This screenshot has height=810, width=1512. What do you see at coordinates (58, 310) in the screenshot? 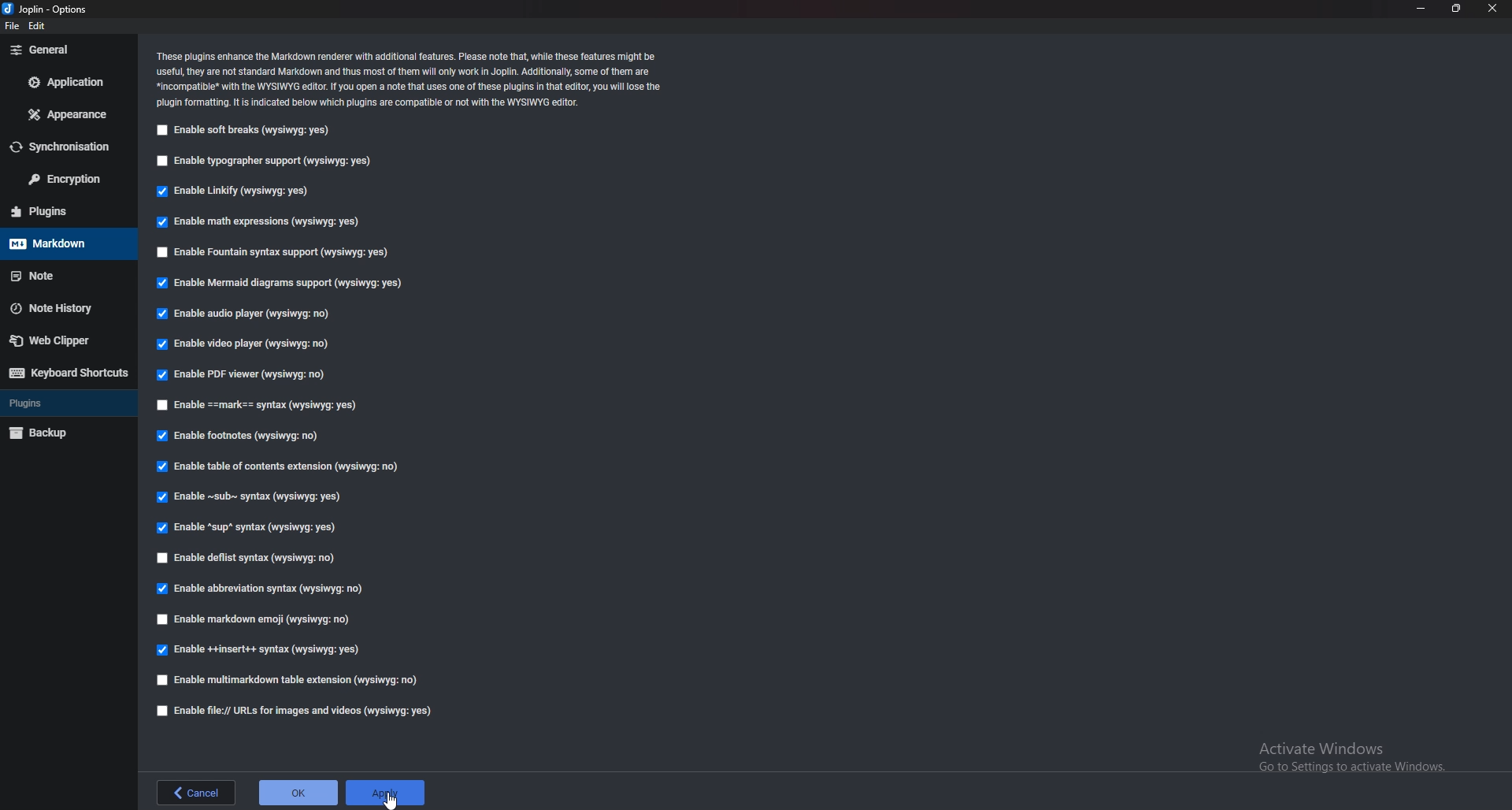
I see `Note history` at bounding box center [58, 310].